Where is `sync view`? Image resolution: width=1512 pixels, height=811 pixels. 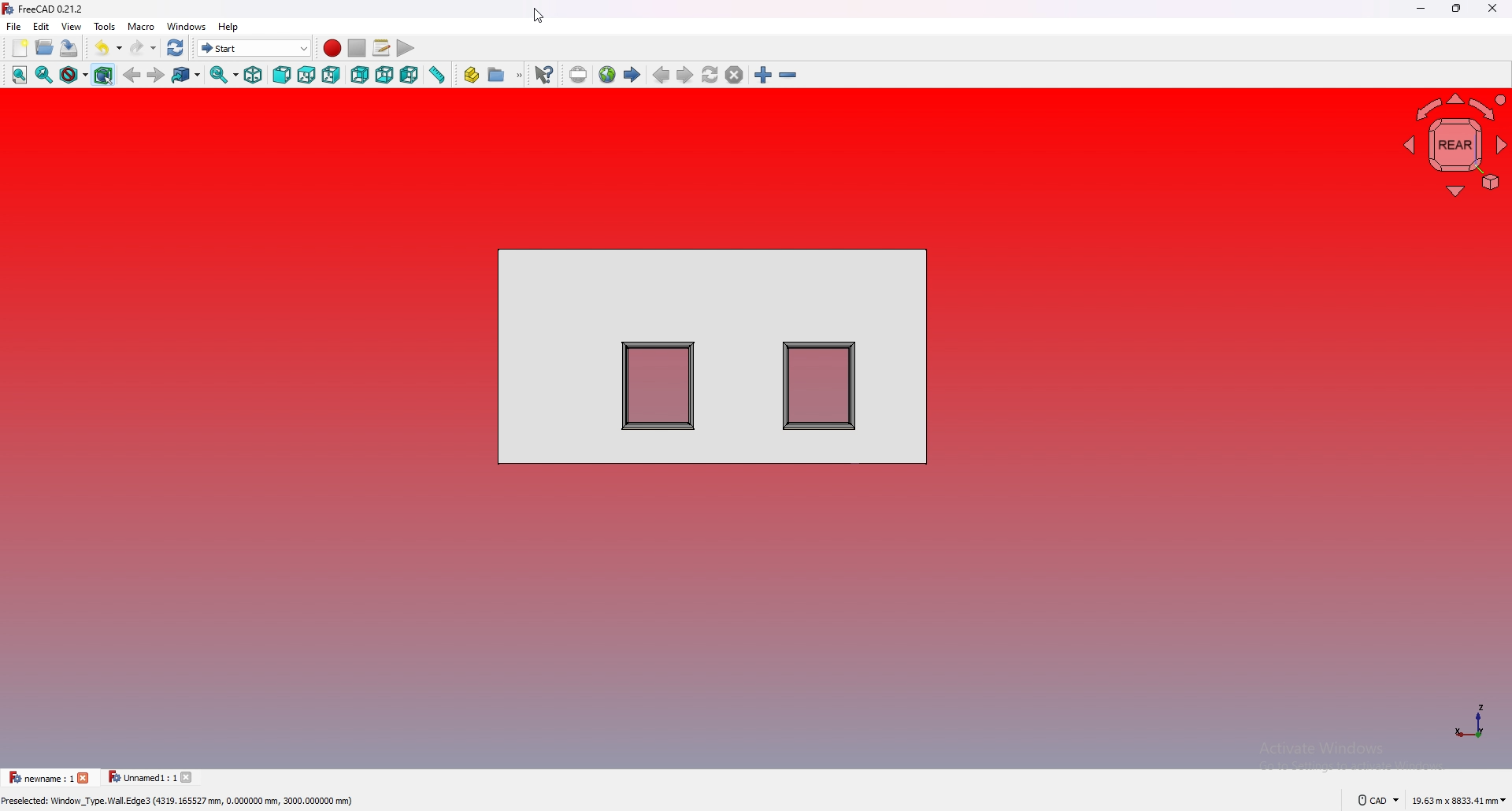
sync view is located at coordinates (224, 75).